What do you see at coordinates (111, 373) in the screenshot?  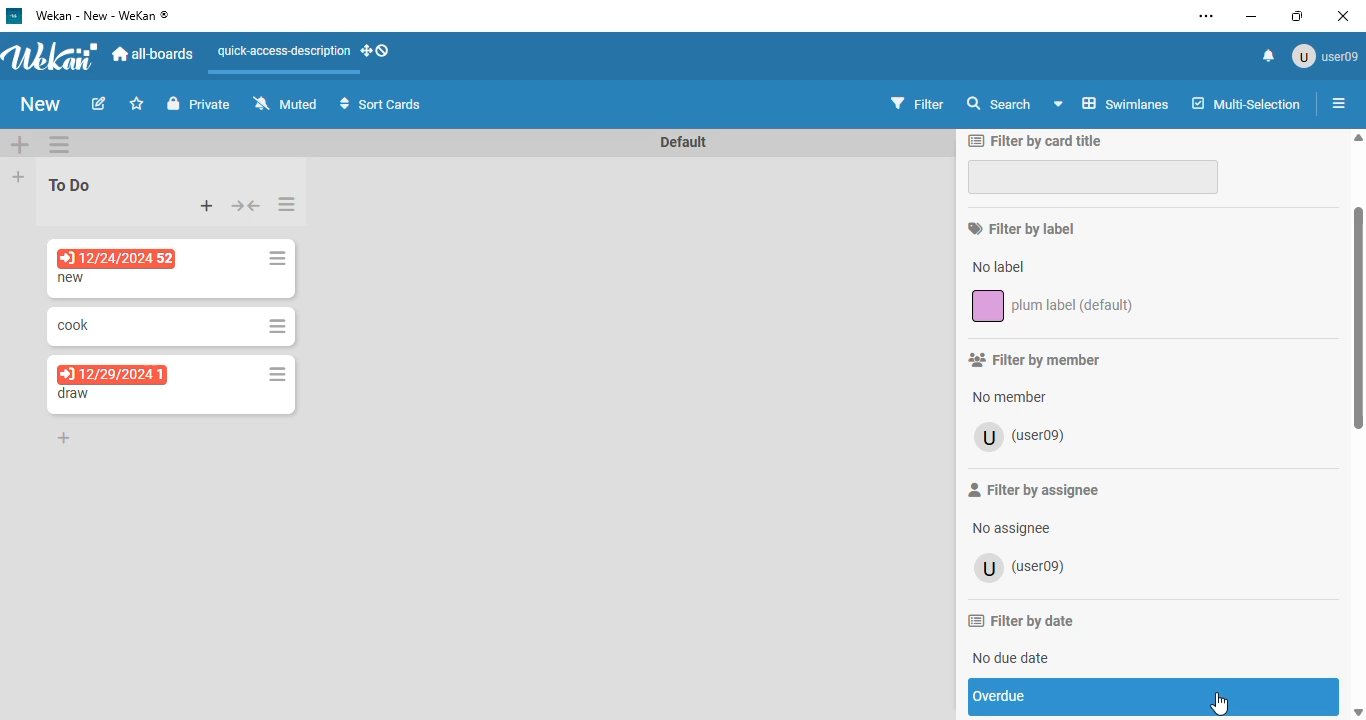 I see `12/29/2024 1` at bounding box center [111, 373].